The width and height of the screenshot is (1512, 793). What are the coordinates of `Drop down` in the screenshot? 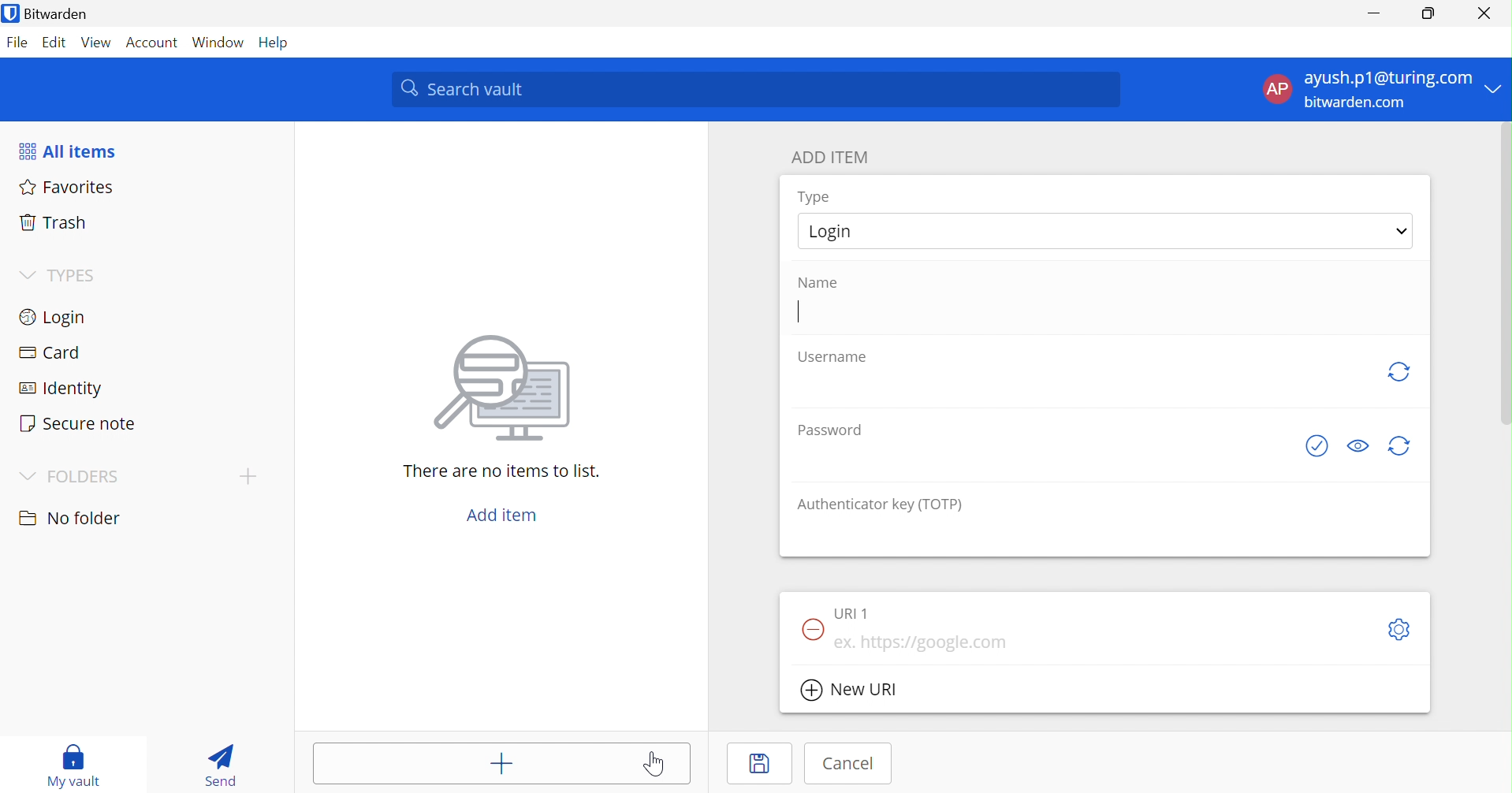 It's located at (1403, 230).